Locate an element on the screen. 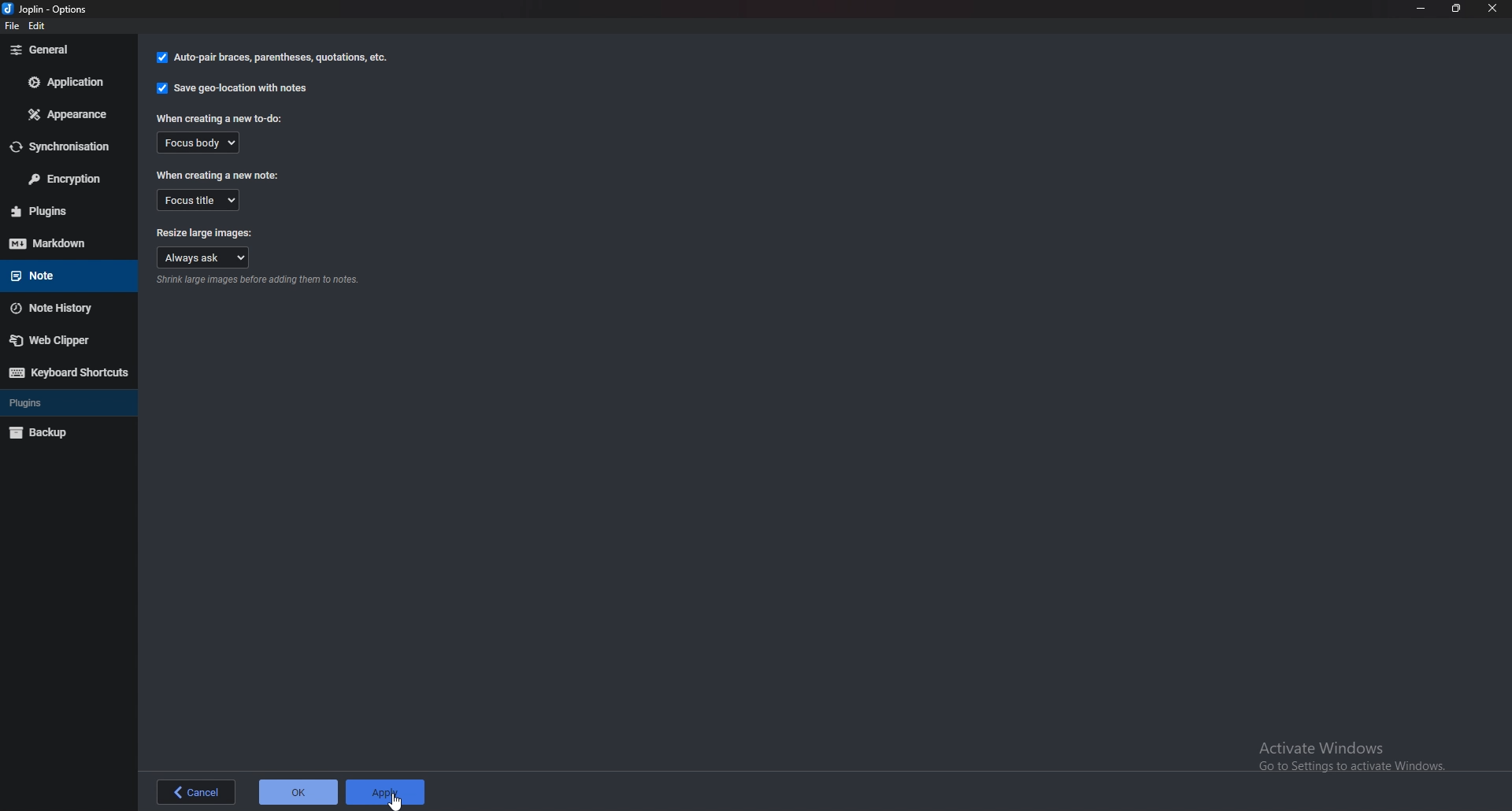 The height and width of the screenshot is (811, 1512). save geo location with notes is located at coordinates (234, 88).